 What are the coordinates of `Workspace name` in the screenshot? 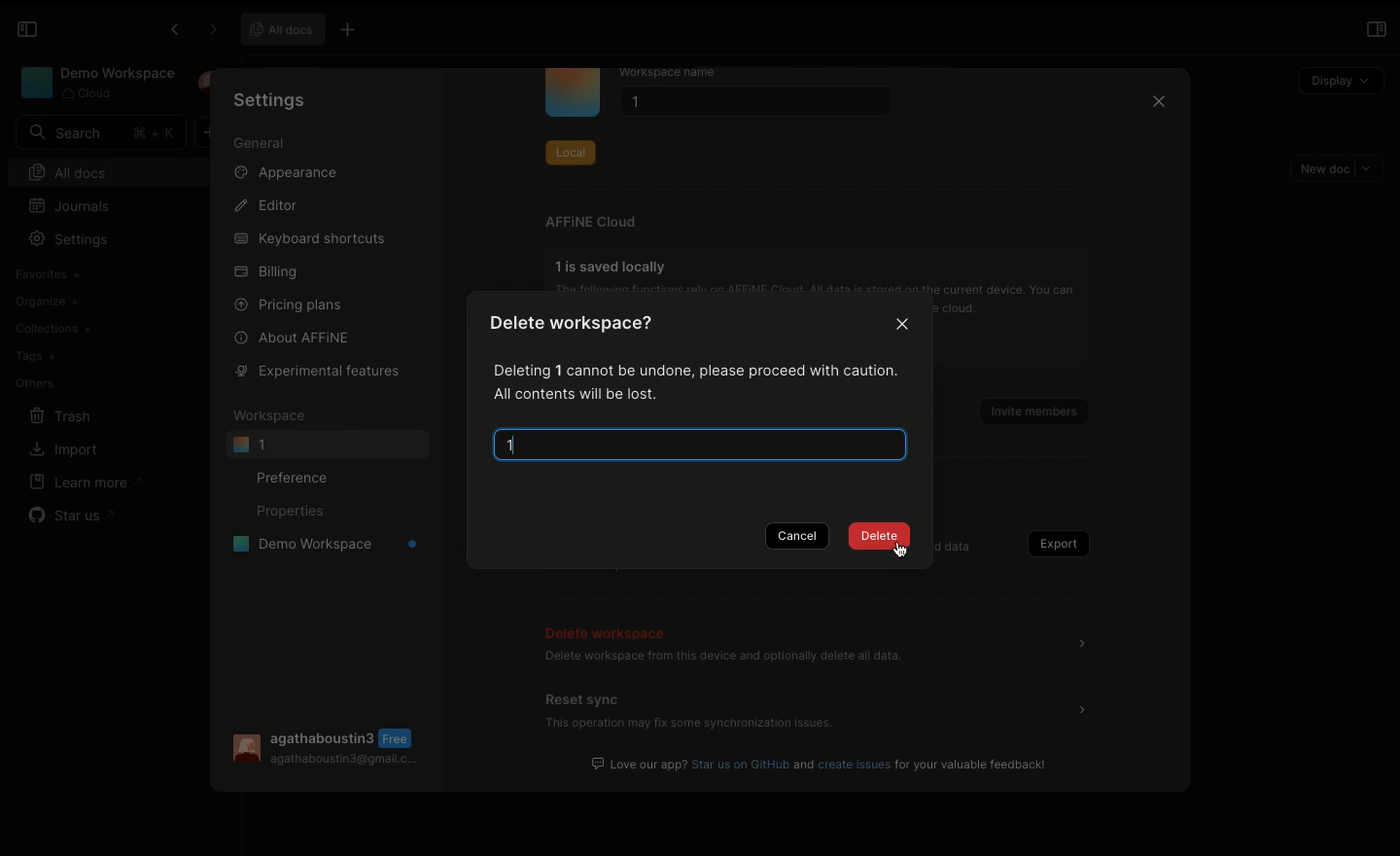 It's located at (683, 73).